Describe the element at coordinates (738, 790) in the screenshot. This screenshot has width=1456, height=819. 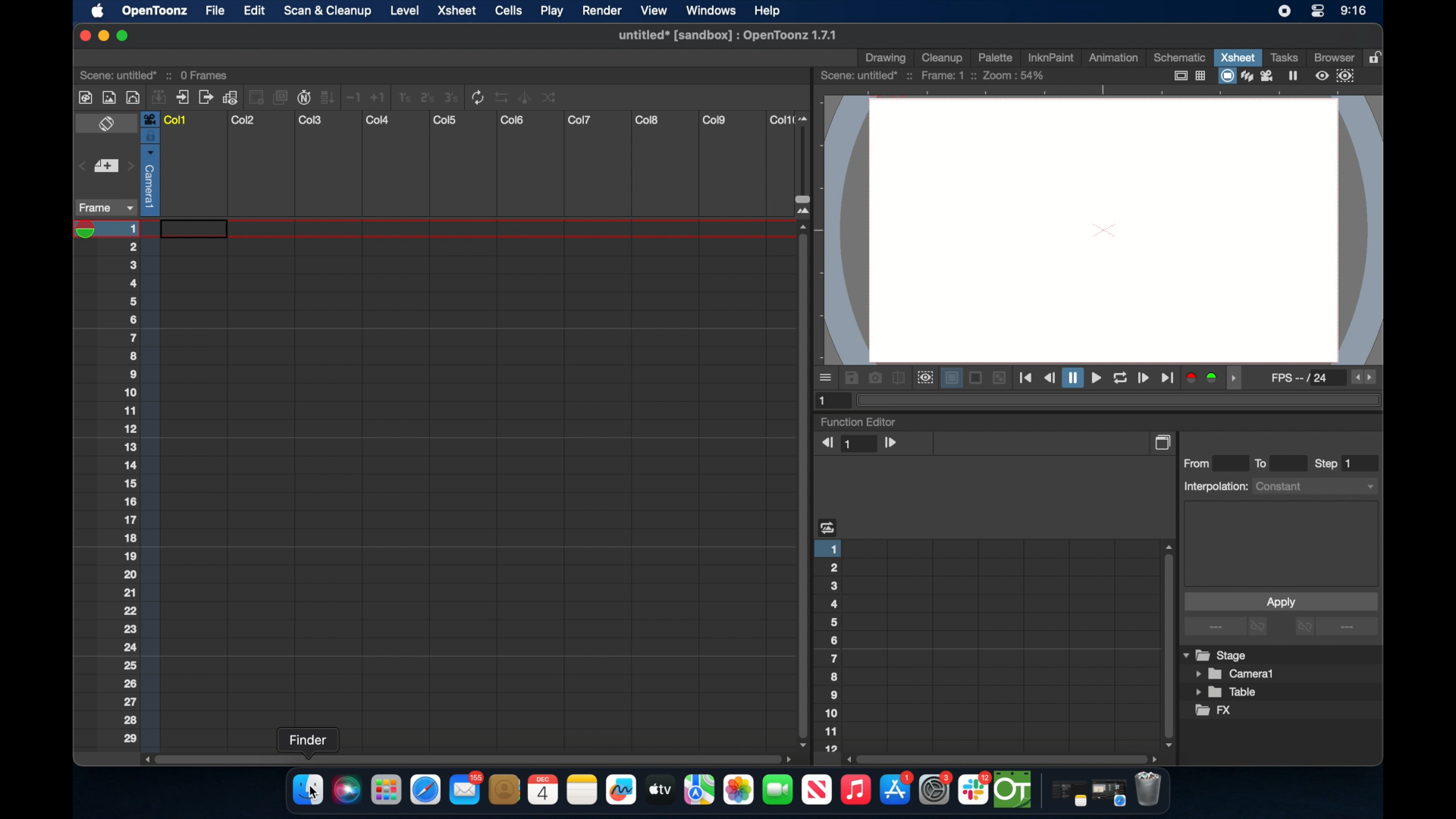
I see `photos` at that location.